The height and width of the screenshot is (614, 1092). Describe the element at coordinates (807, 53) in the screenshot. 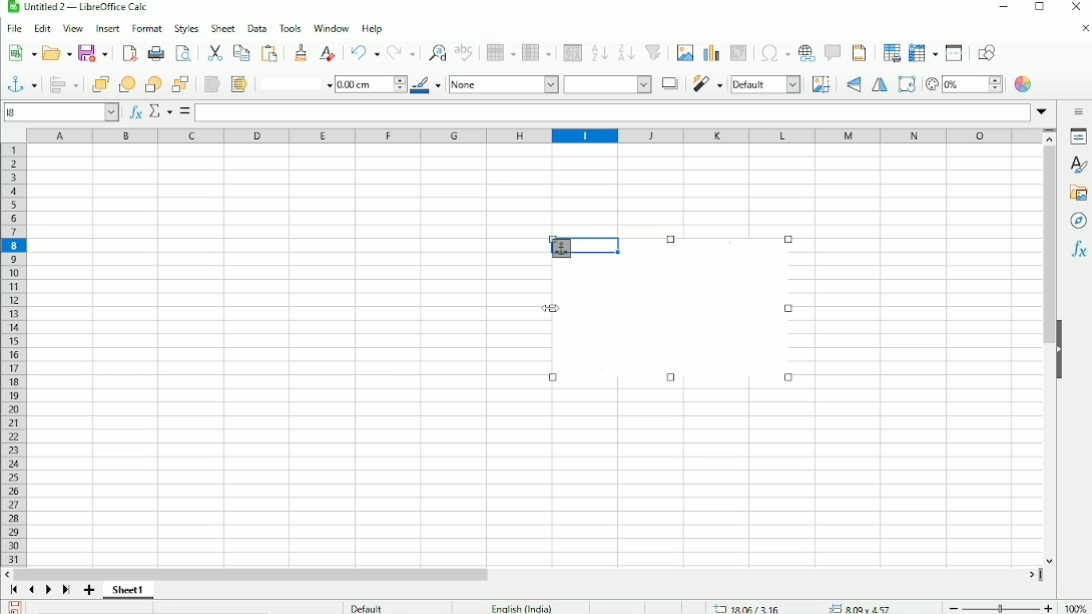

I see `Insert hyperlink` at that location.